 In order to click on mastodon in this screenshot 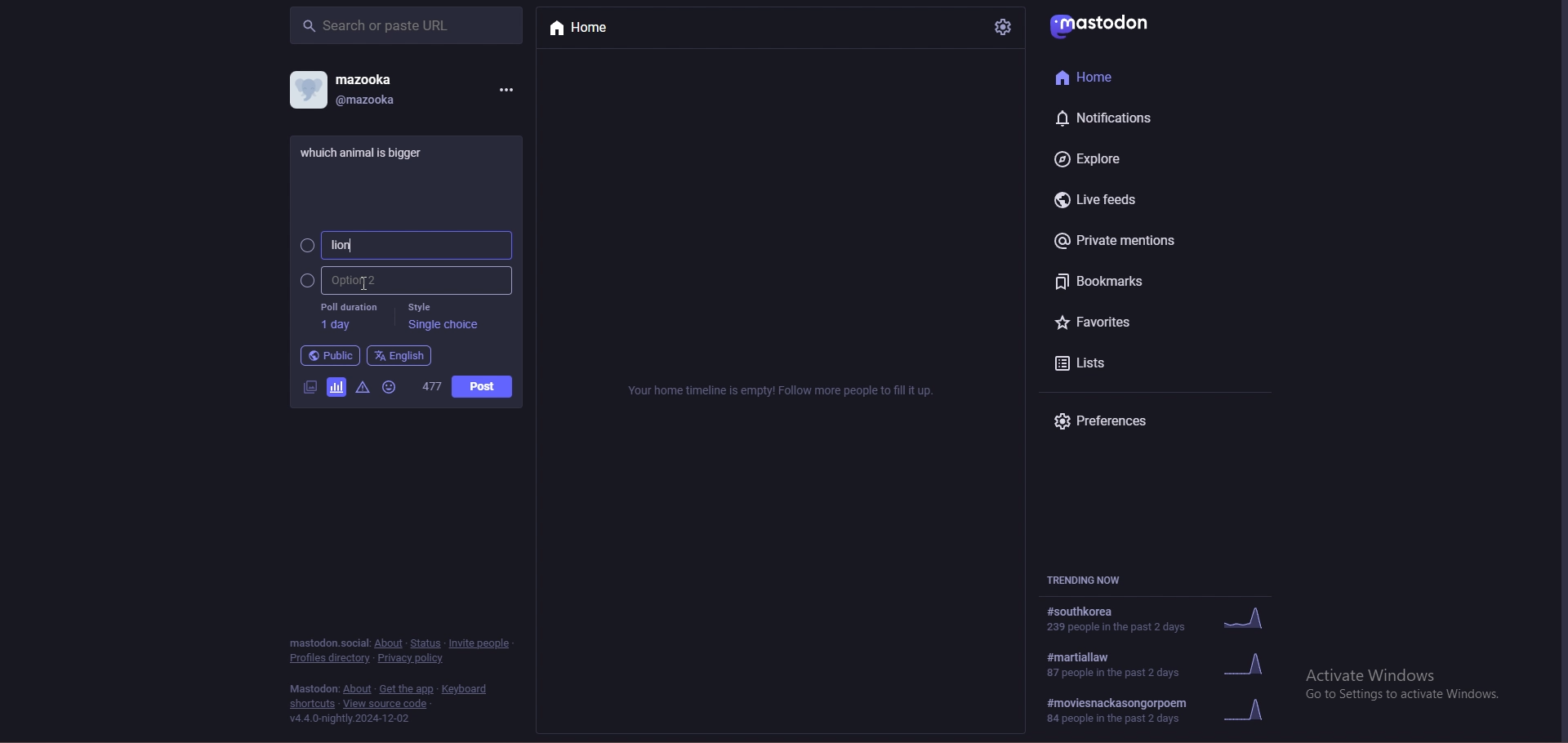, I will do `click(1107, 23)`.